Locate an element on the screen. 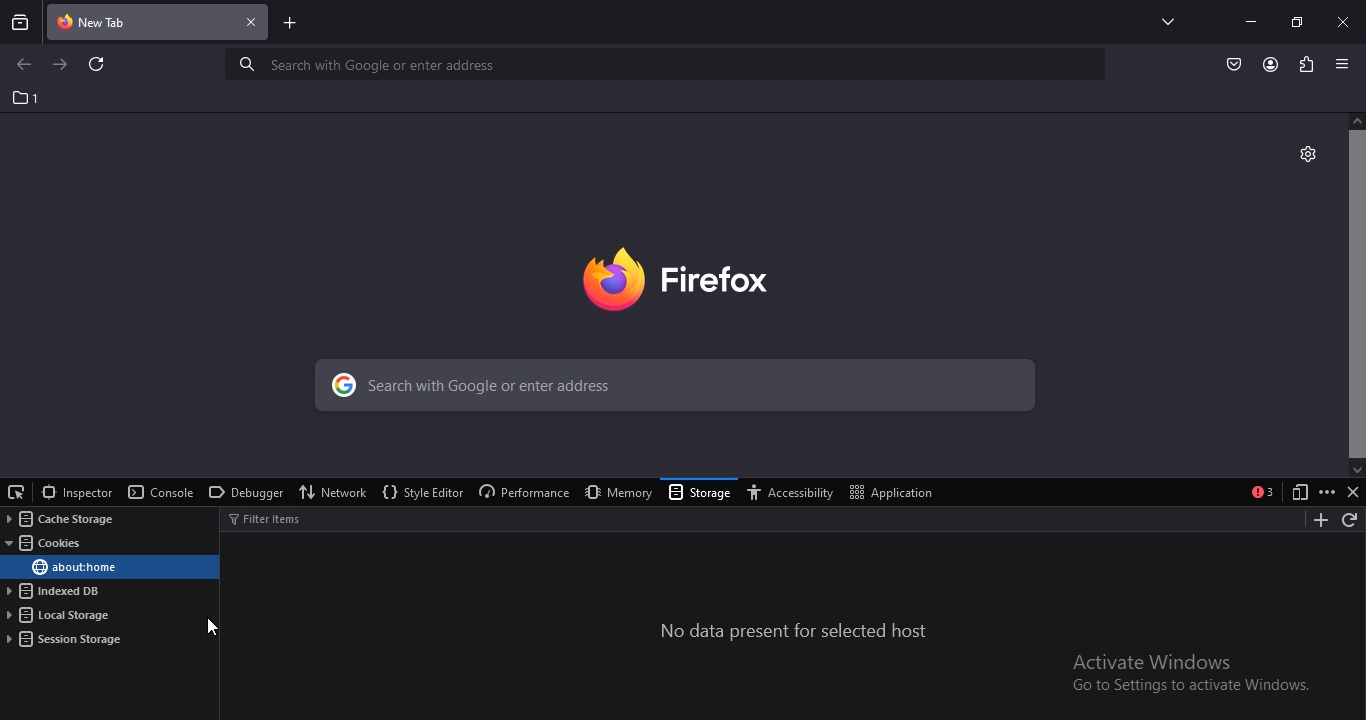  search is located at coordinates (668, 64).